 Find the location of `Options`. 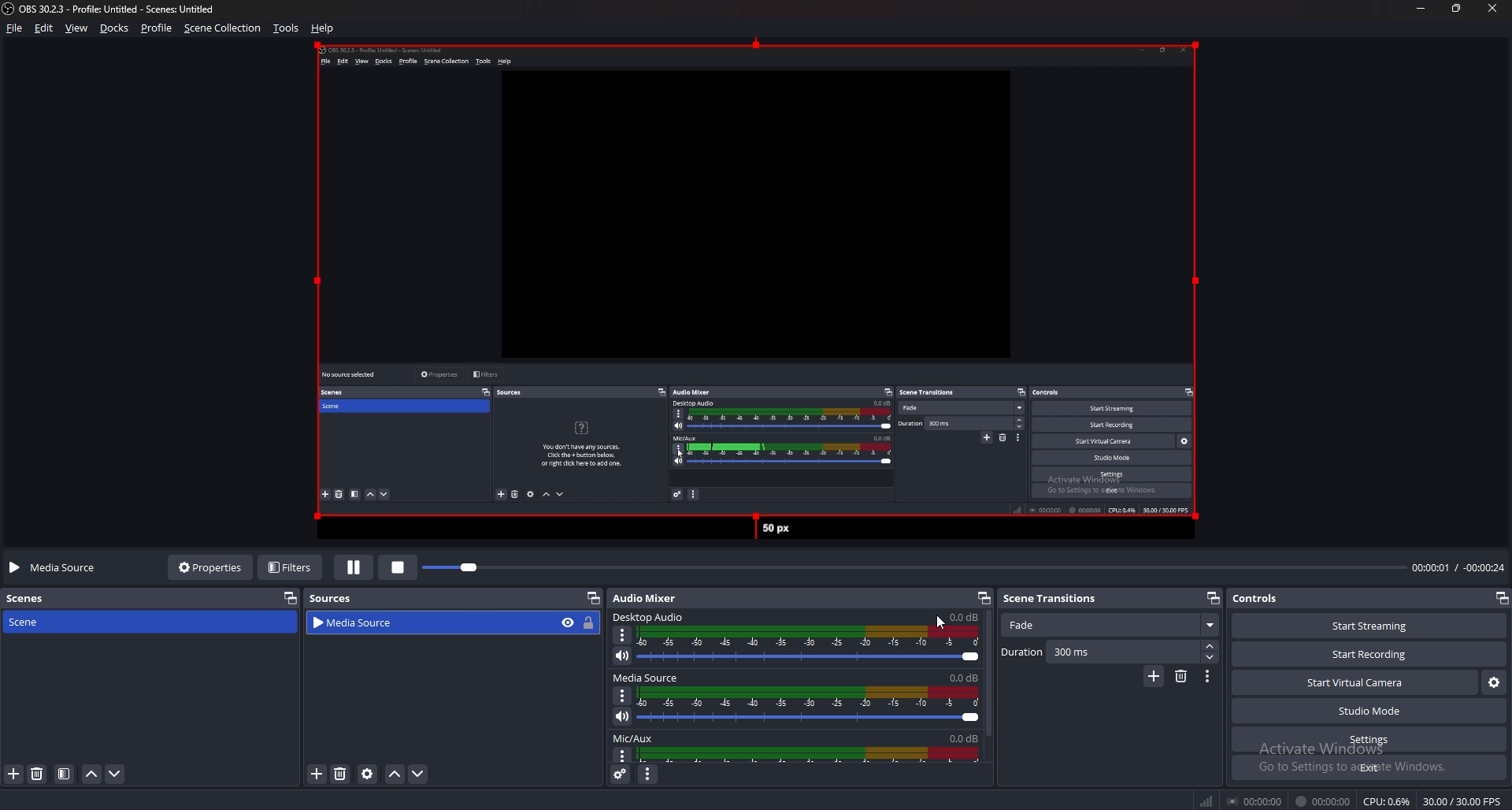

Options is located at coordinates (623, 695).